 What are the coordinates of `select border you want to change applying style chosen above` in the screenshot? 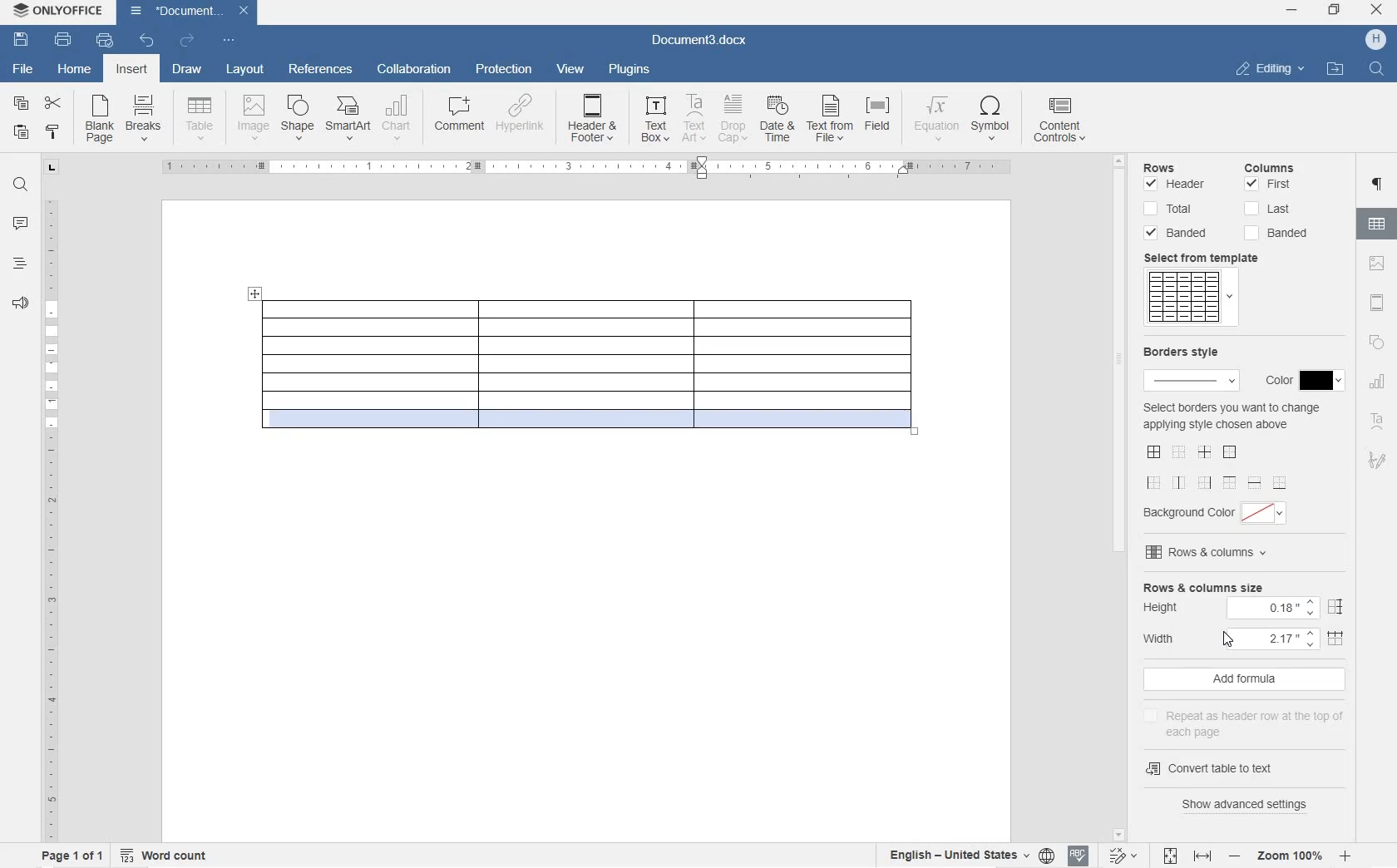 It's located at (1232, 445).